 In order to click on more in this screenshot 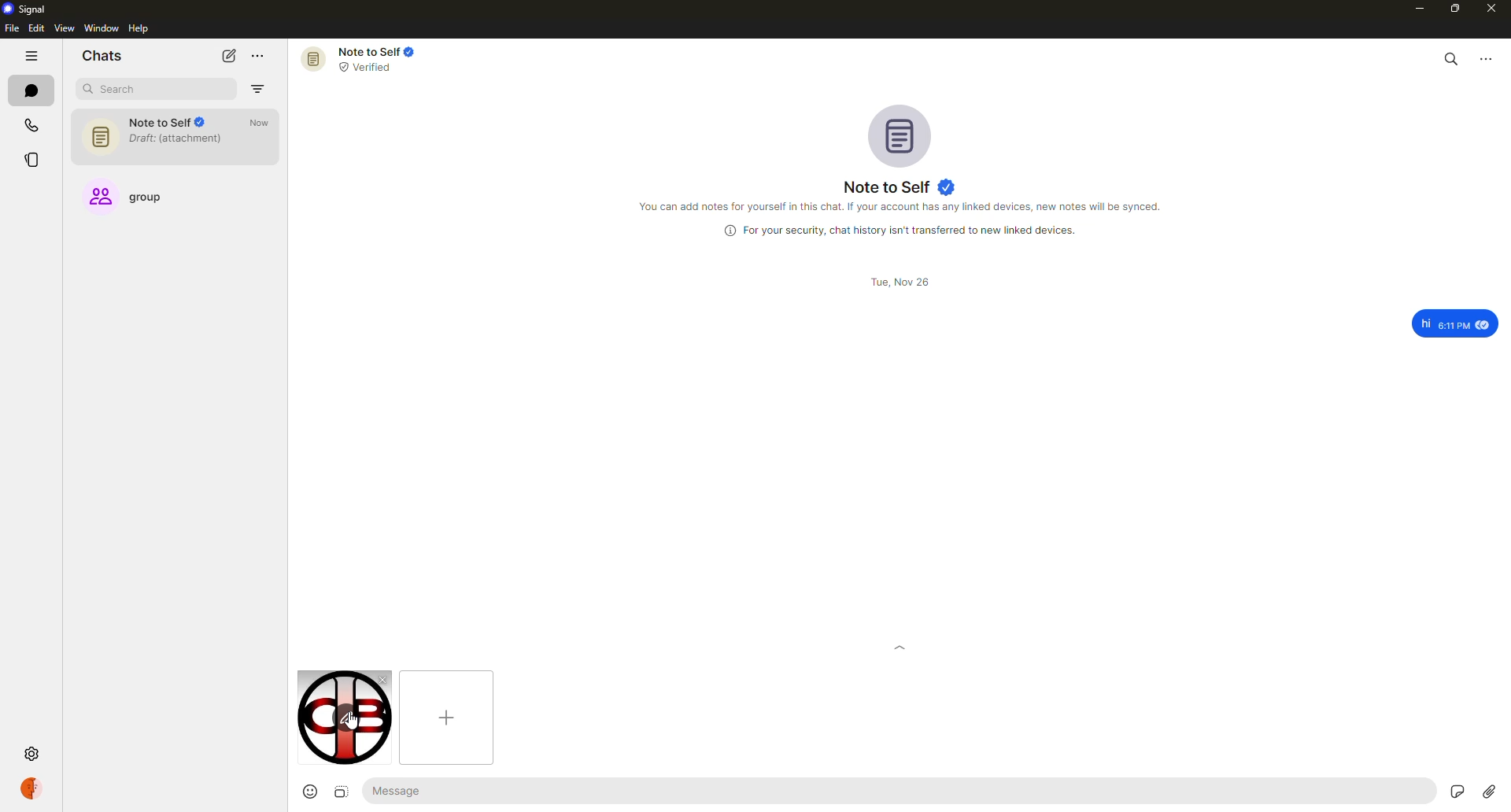, I will do `click(1487, 56)`.